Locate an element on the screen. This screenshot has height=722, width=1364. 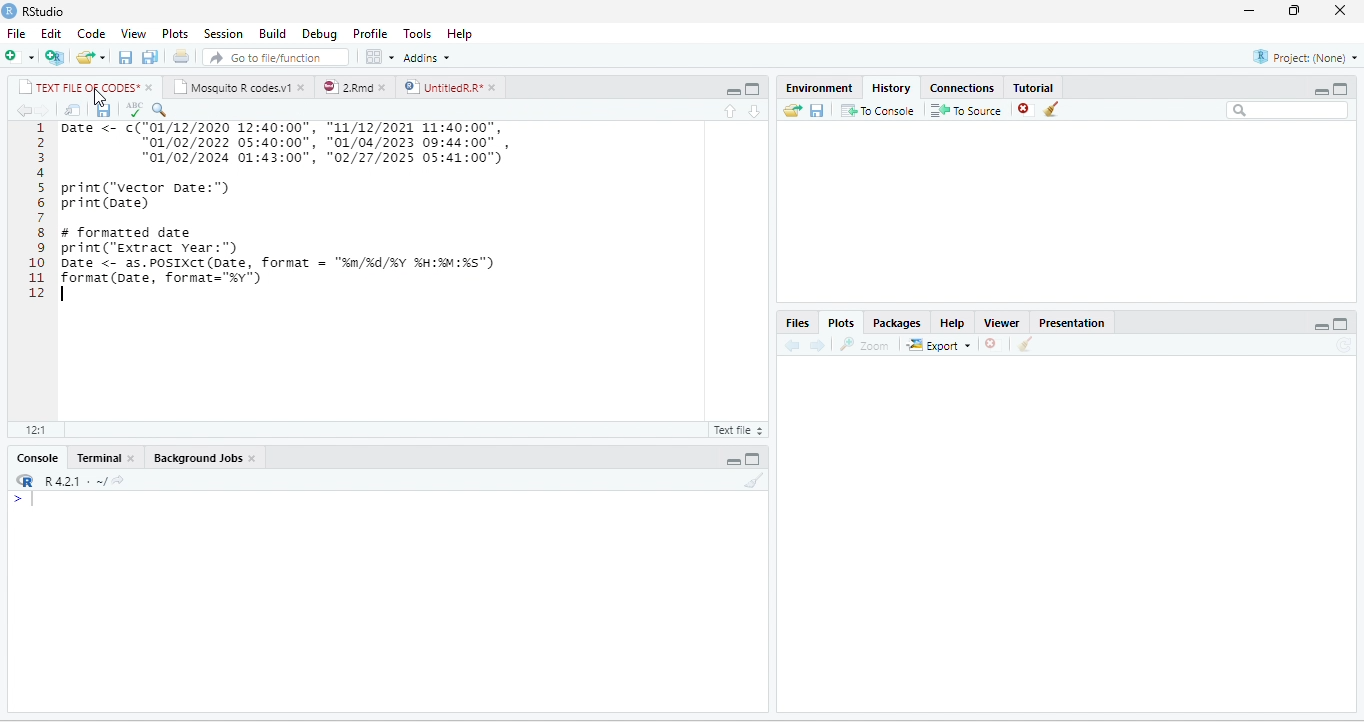
Connections is located at coordinates (963, 89).